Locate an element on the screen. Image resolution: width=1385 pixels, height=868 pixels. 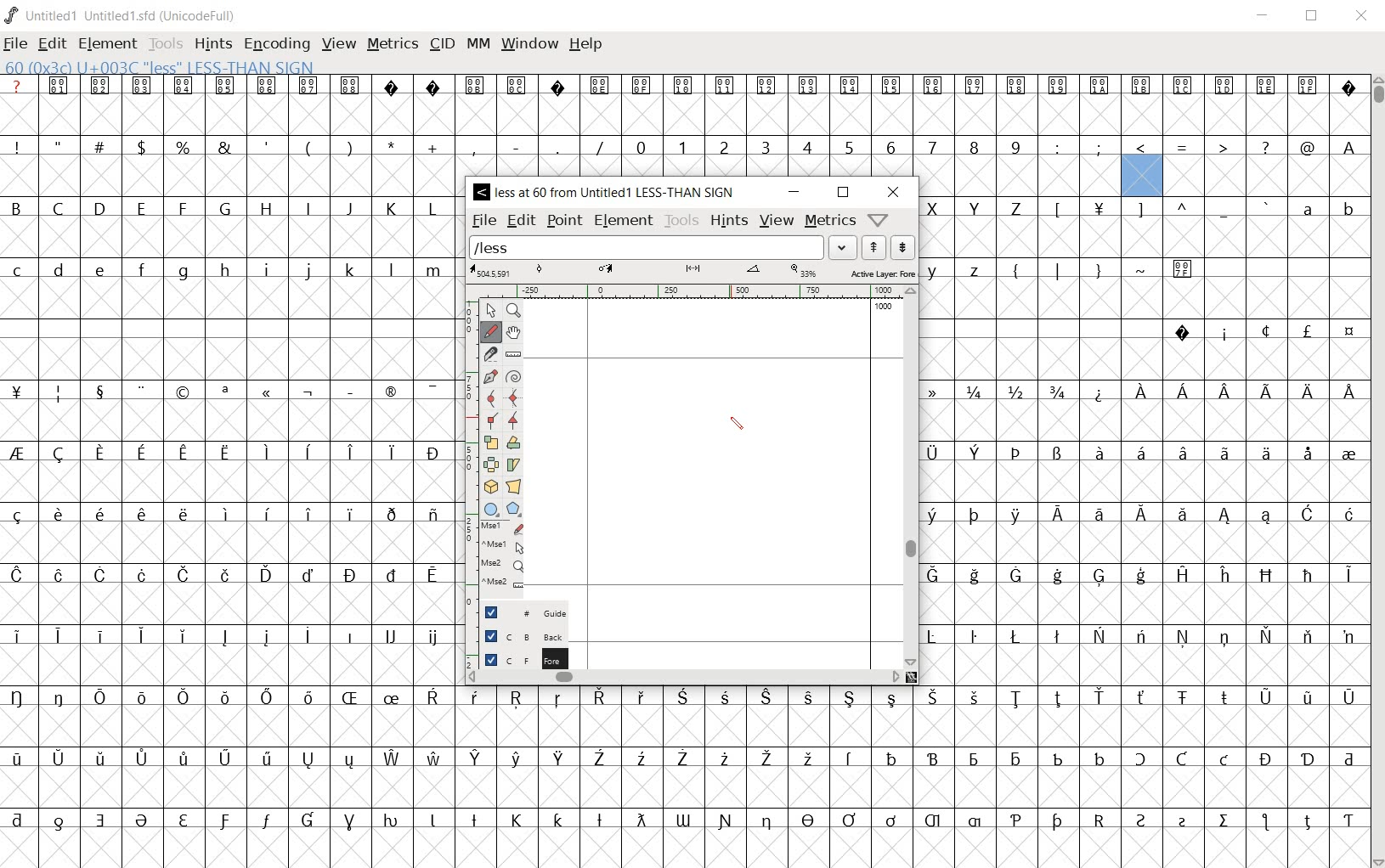
empty cells is located at coordinates (1020, 175).